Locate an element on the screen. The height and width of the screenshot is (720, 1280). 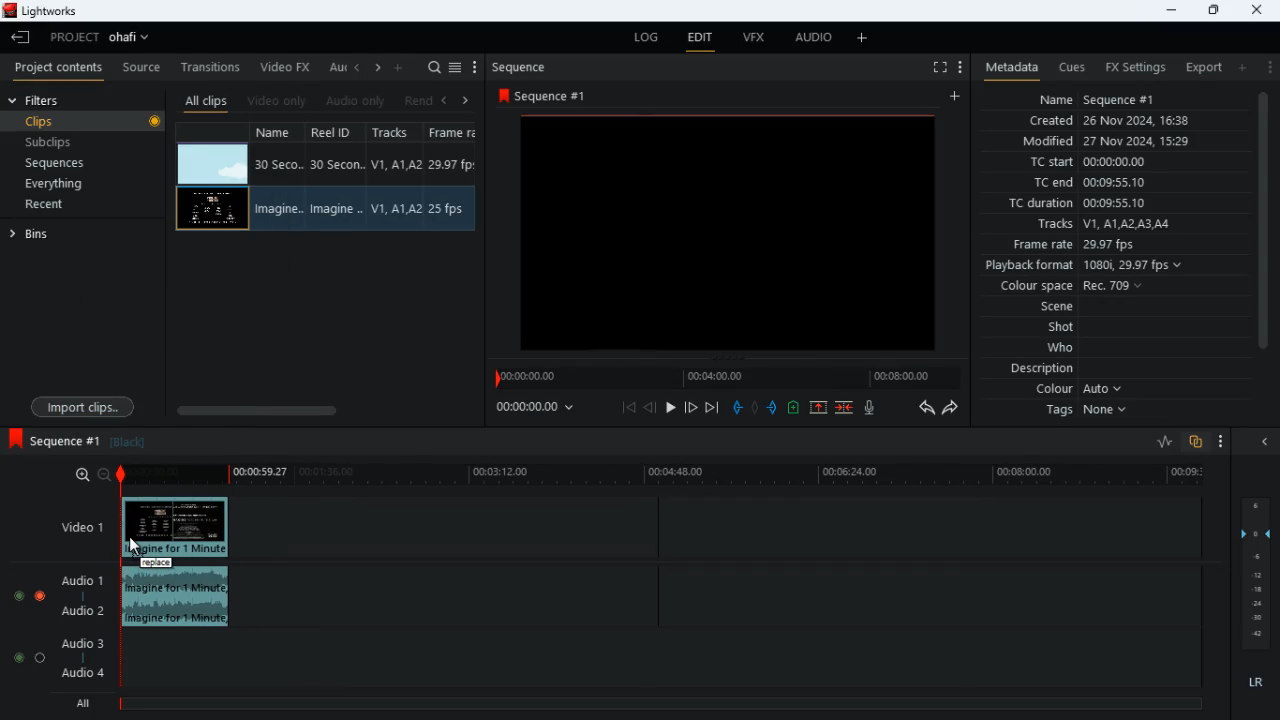
overlap is located at coordinates (1197, 443).